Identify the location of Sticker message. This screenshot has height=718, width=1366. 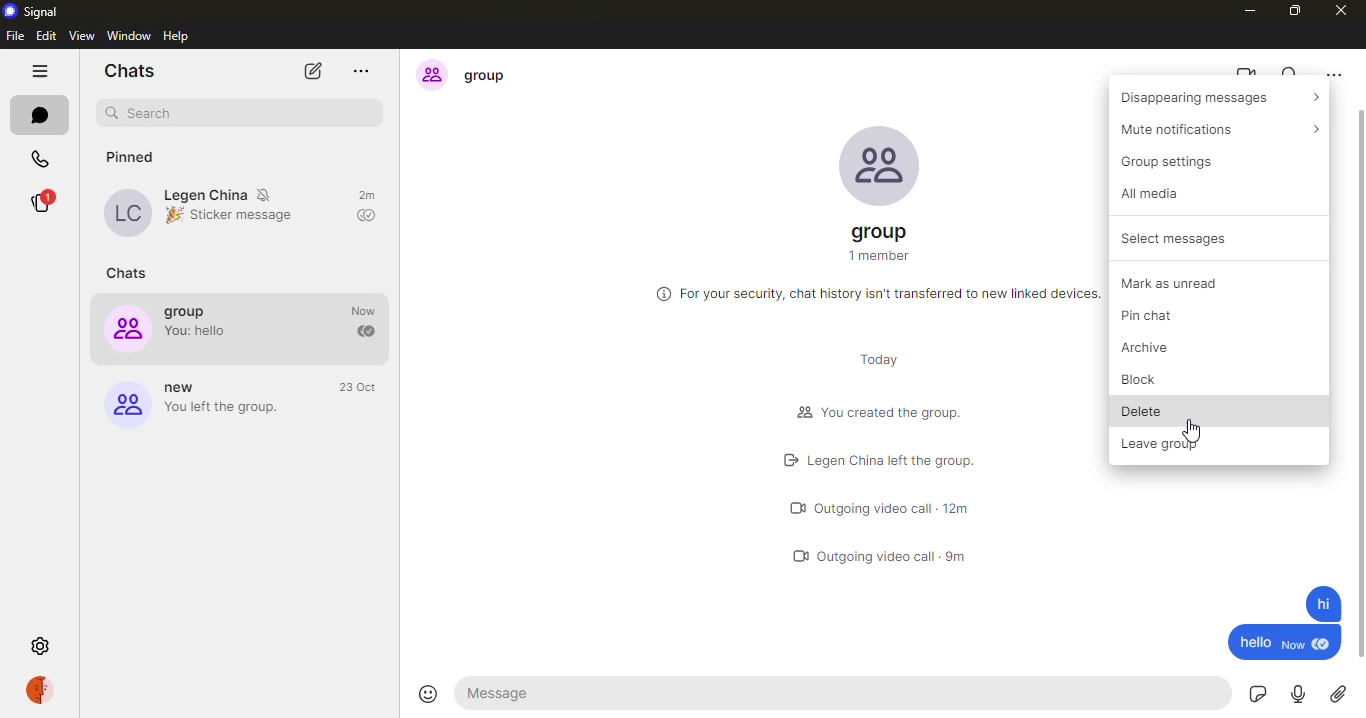
(240, 219).